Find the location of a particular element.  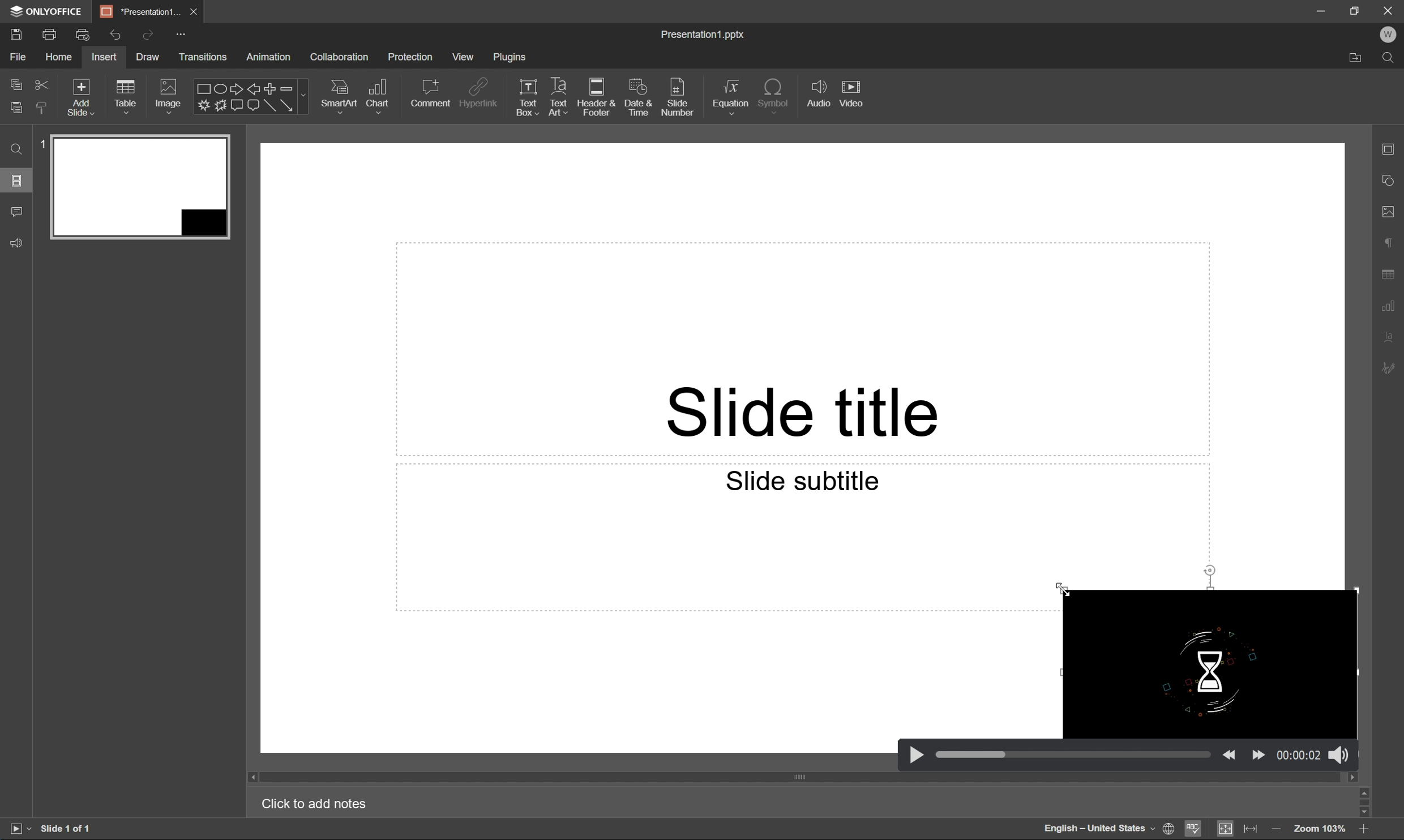

table is located at coordinates (129, 97).